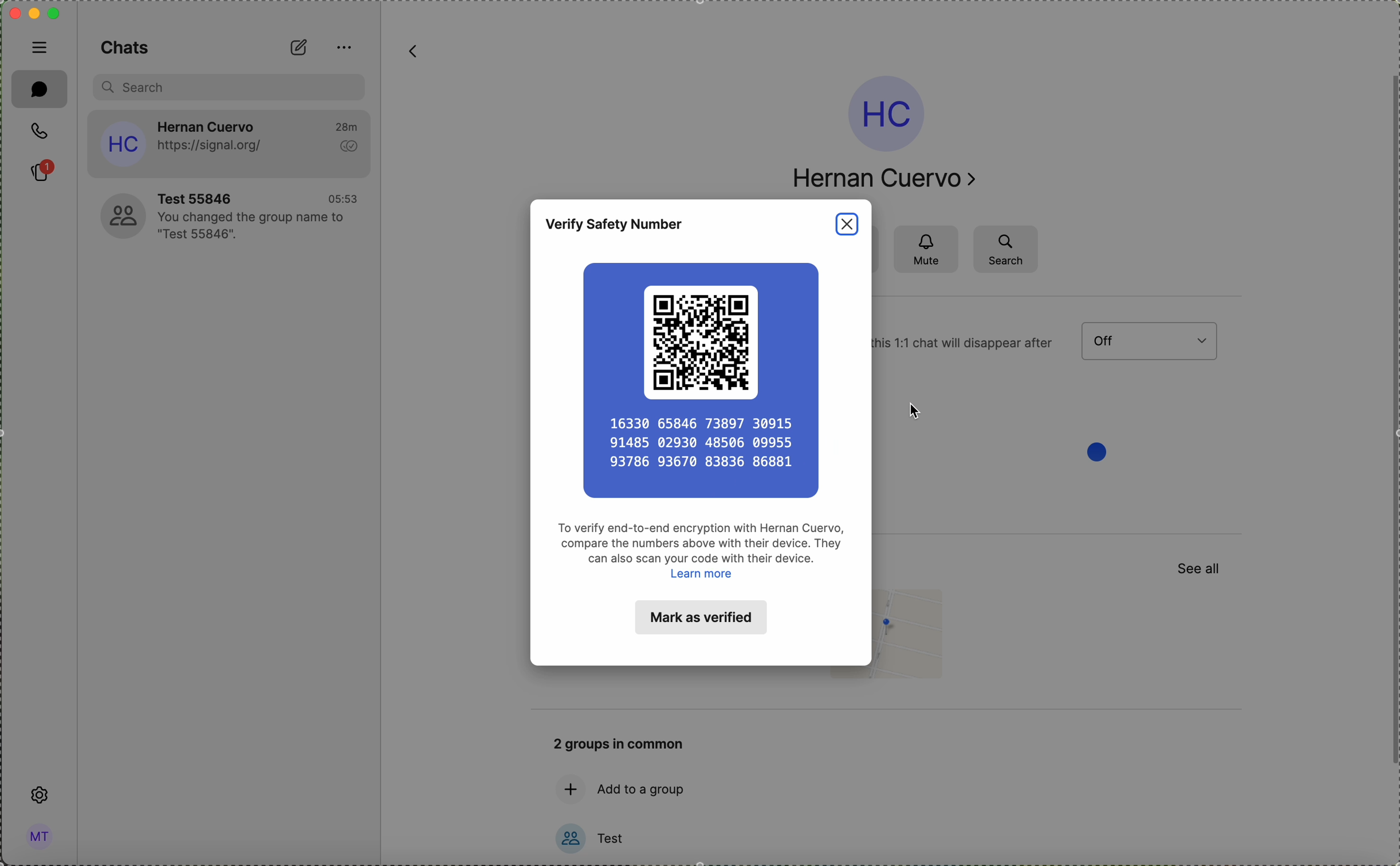  I want to click on 05:53, so click(343, 196).